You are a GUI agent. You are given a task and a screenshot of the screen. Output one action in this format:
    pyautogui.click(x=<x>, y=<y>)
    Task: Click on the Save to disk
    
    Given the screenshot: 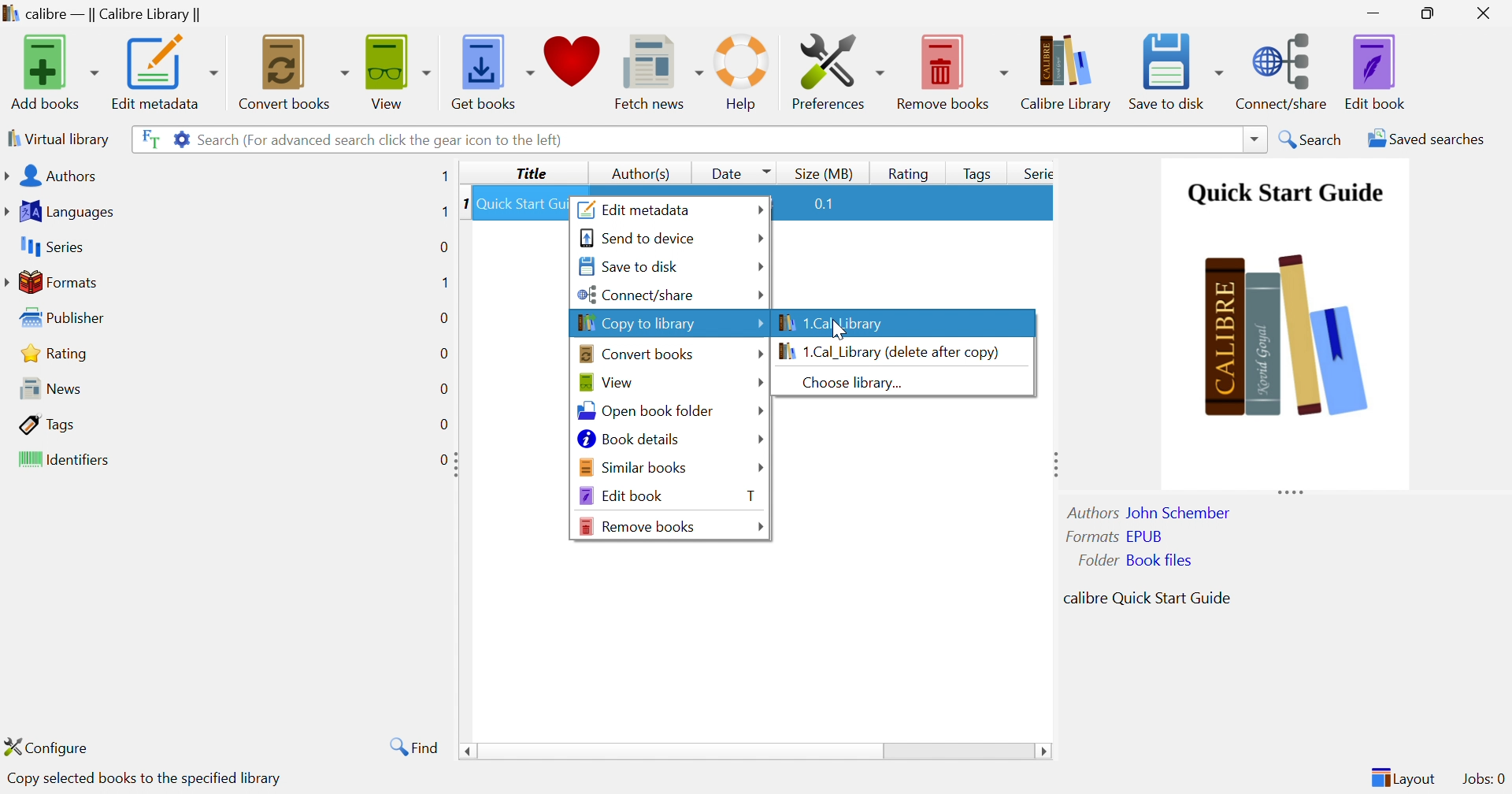 What is the action you would take?
    pyautogui.click(x=632, y=266)
    